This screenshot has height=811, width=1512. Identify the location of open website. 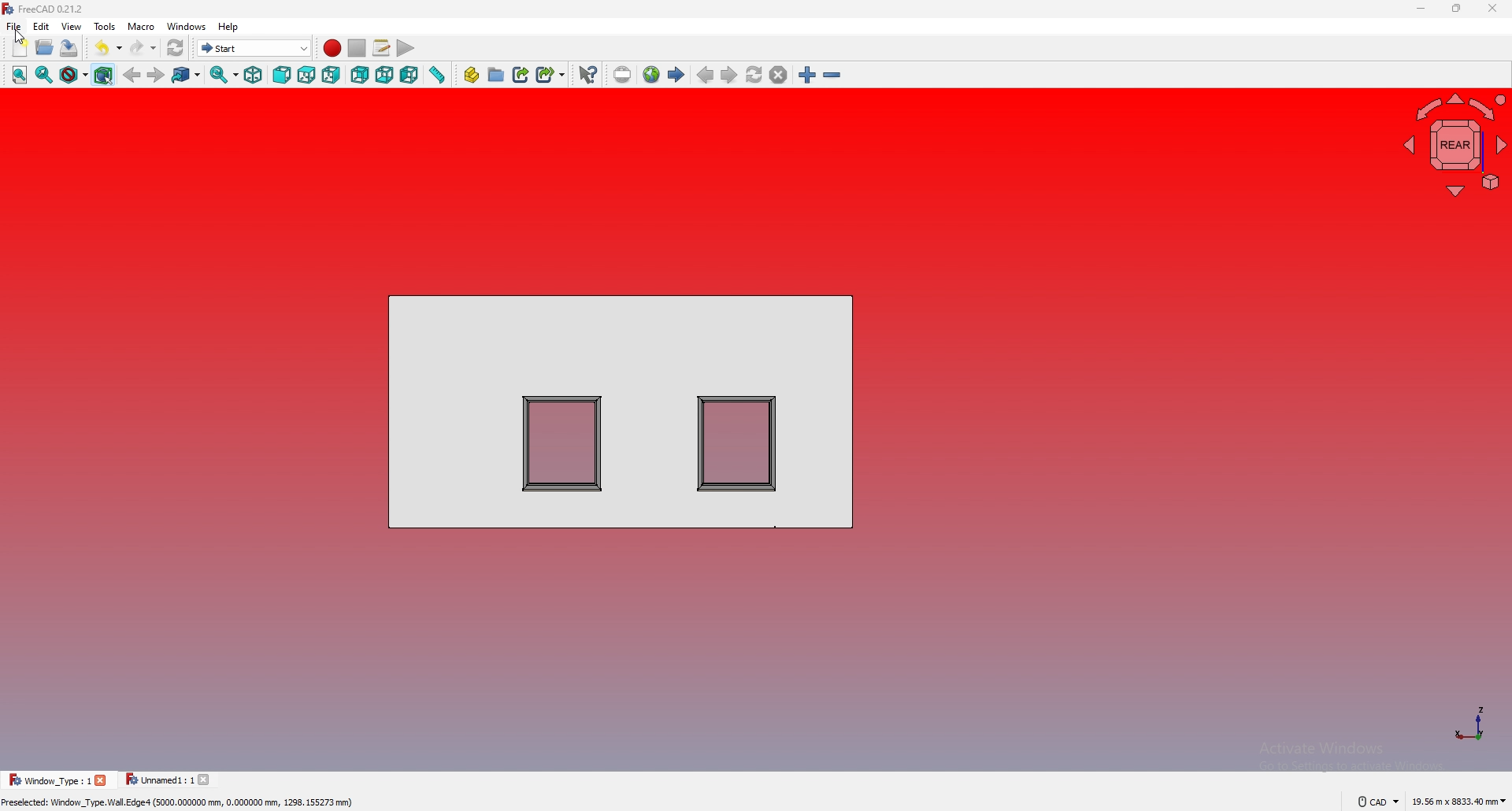
(651, 75).